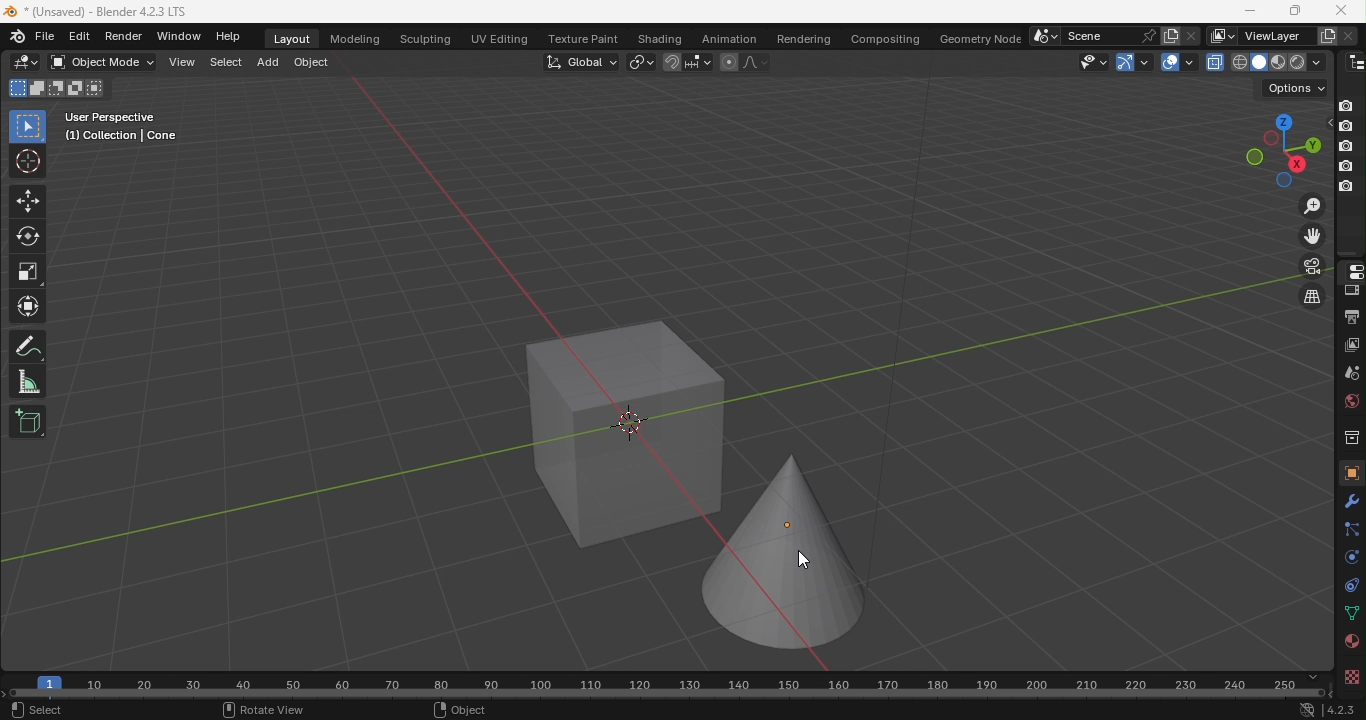  What do you see at coordinates (723, 38) in the screenshot?
I see `Animation` at bounding box center [723, 38].